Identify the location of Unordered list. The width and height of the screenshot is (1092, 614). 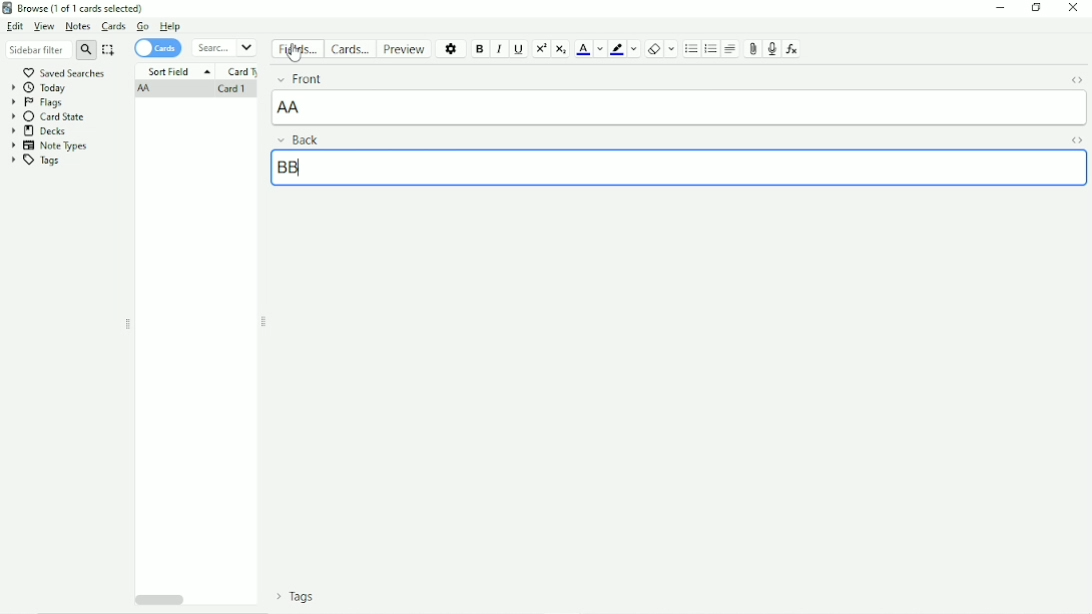
(691, 49).